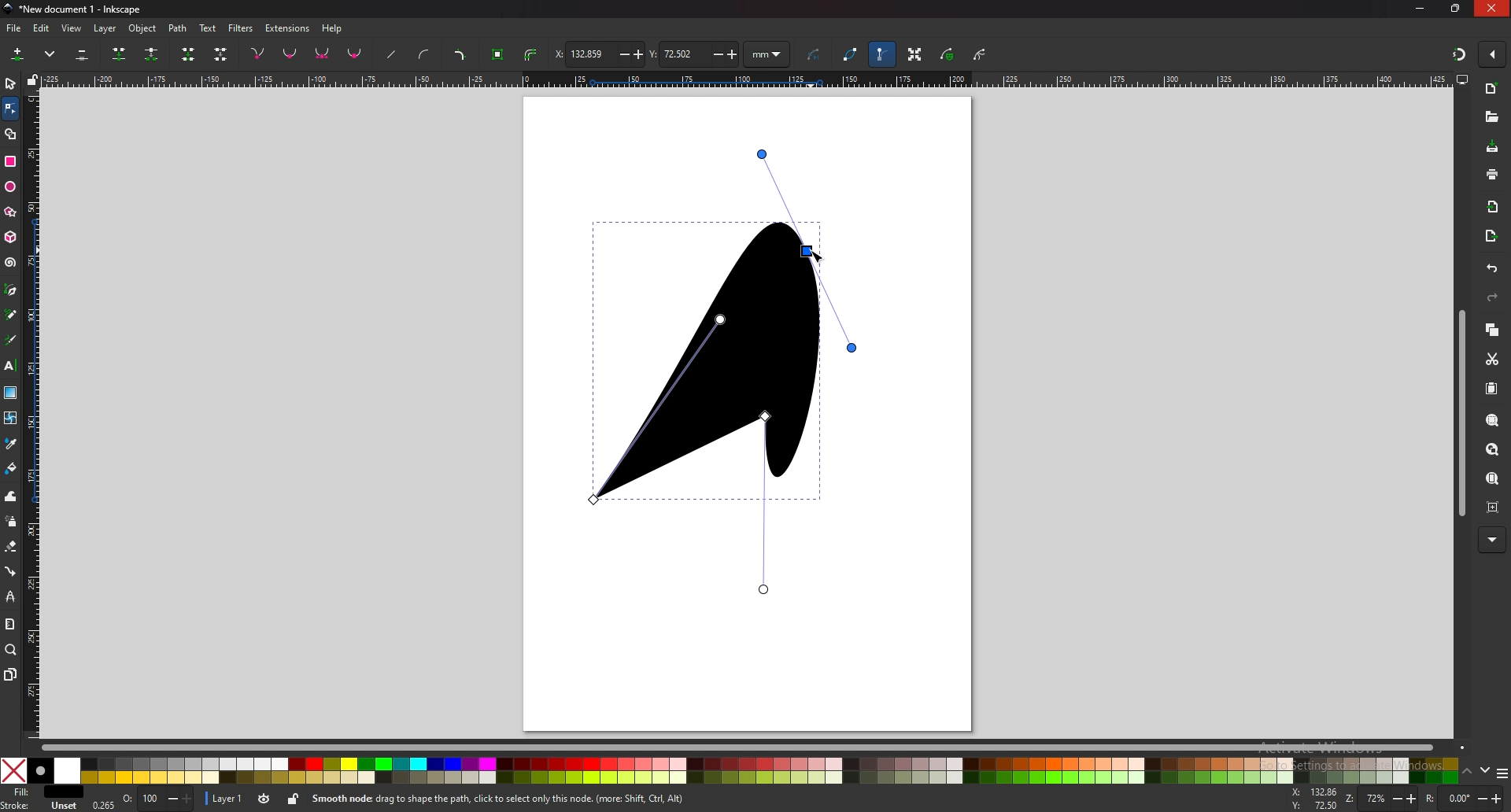 The width and height of the screenshot is (1511, 812). What do you see at coordinates (11, 650) in the screenshot?
I see `zoom` at bounding box center [11, 650].